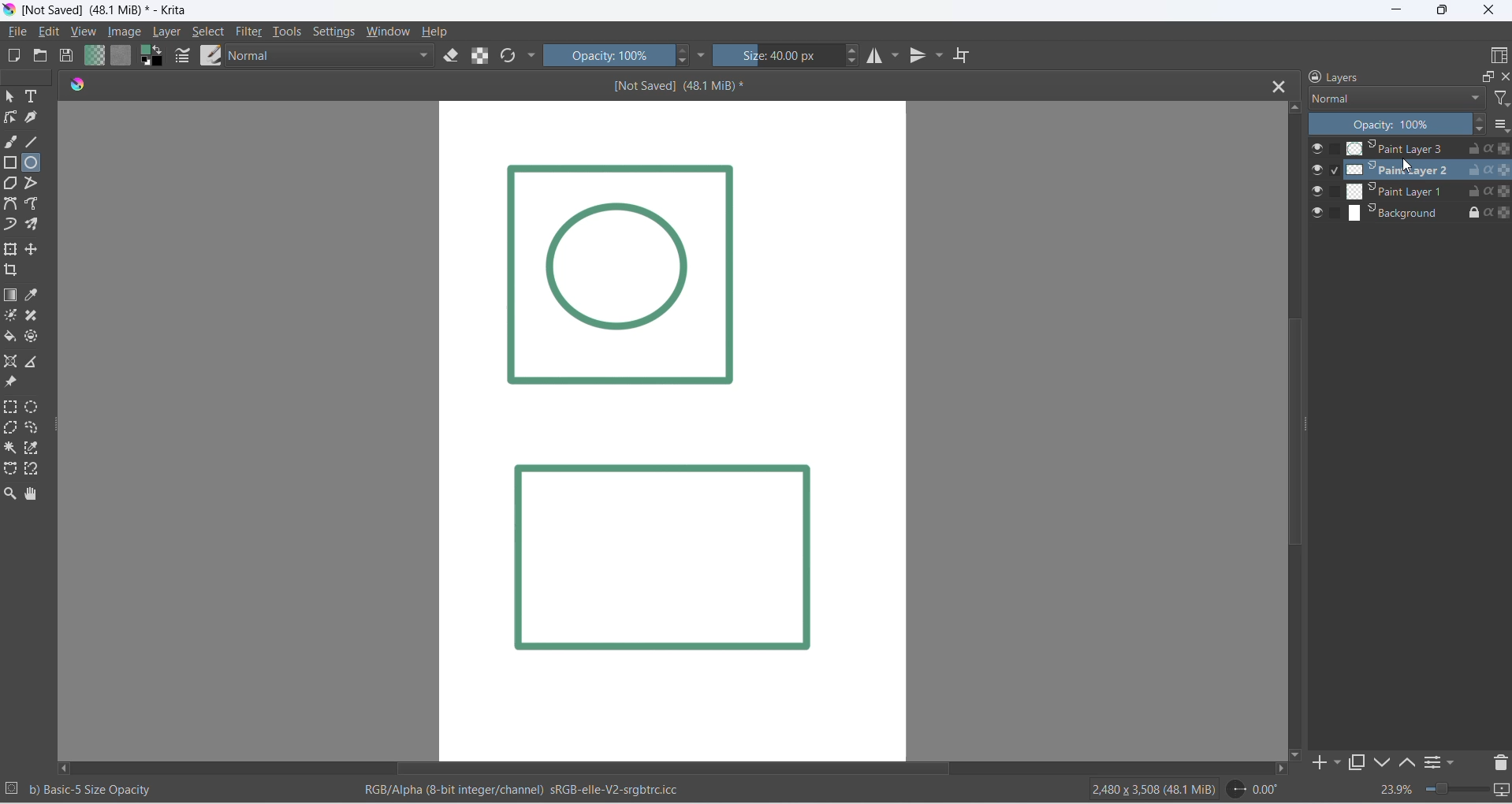 The image size is (1512, 804). I want to click on contigous selection stool, so click(11, 448).